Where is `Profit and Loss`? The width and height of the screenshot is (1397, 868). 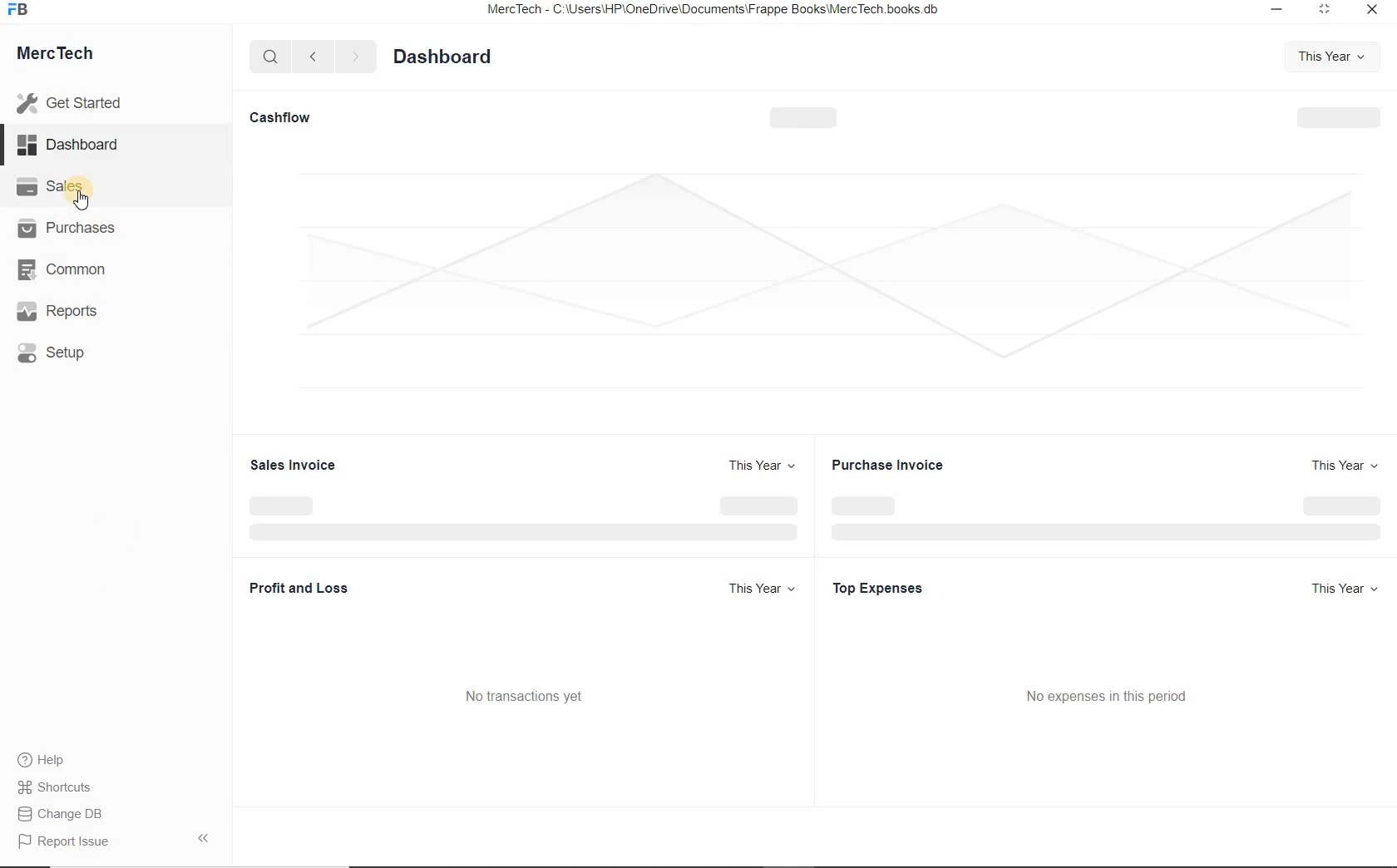
Profit and Loss is located at coordinates (299, 589).